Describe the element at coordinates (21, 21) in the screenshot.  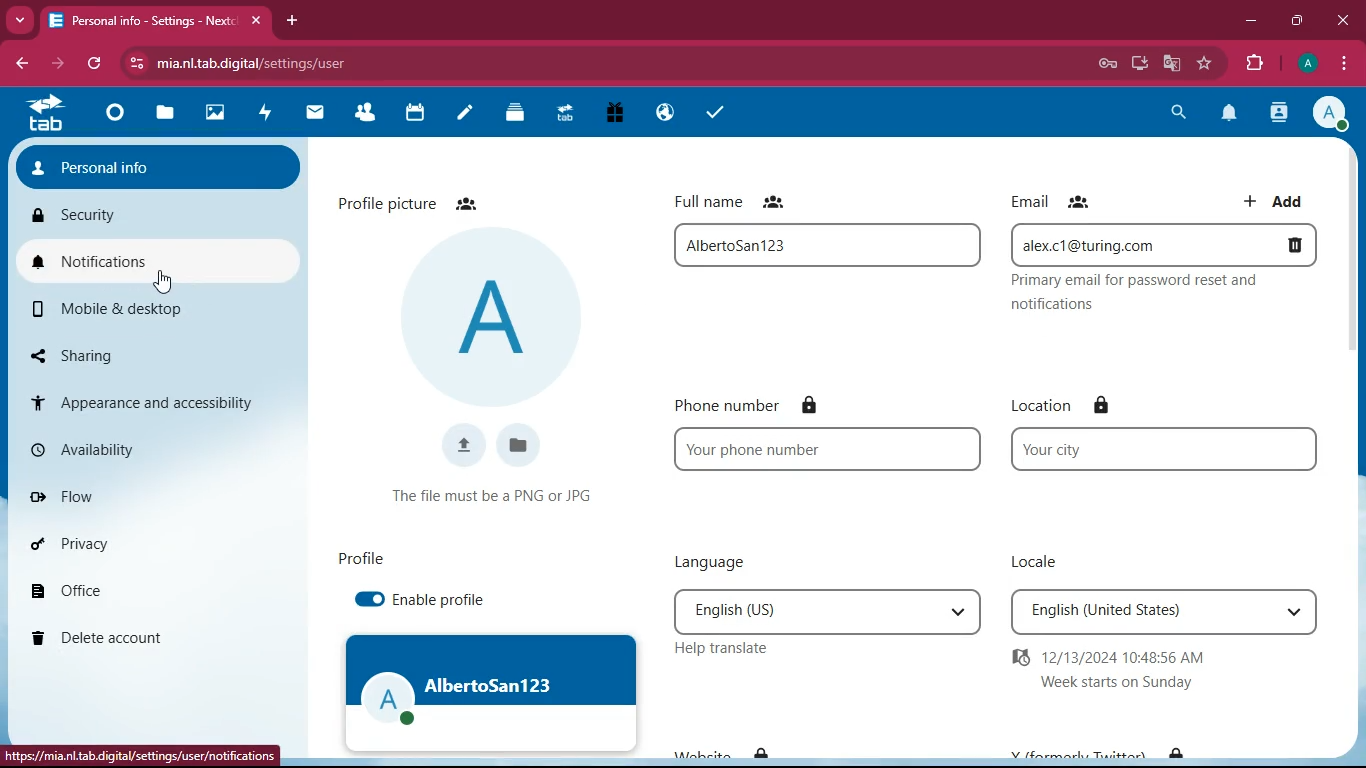
I see `Drop down` at that location.